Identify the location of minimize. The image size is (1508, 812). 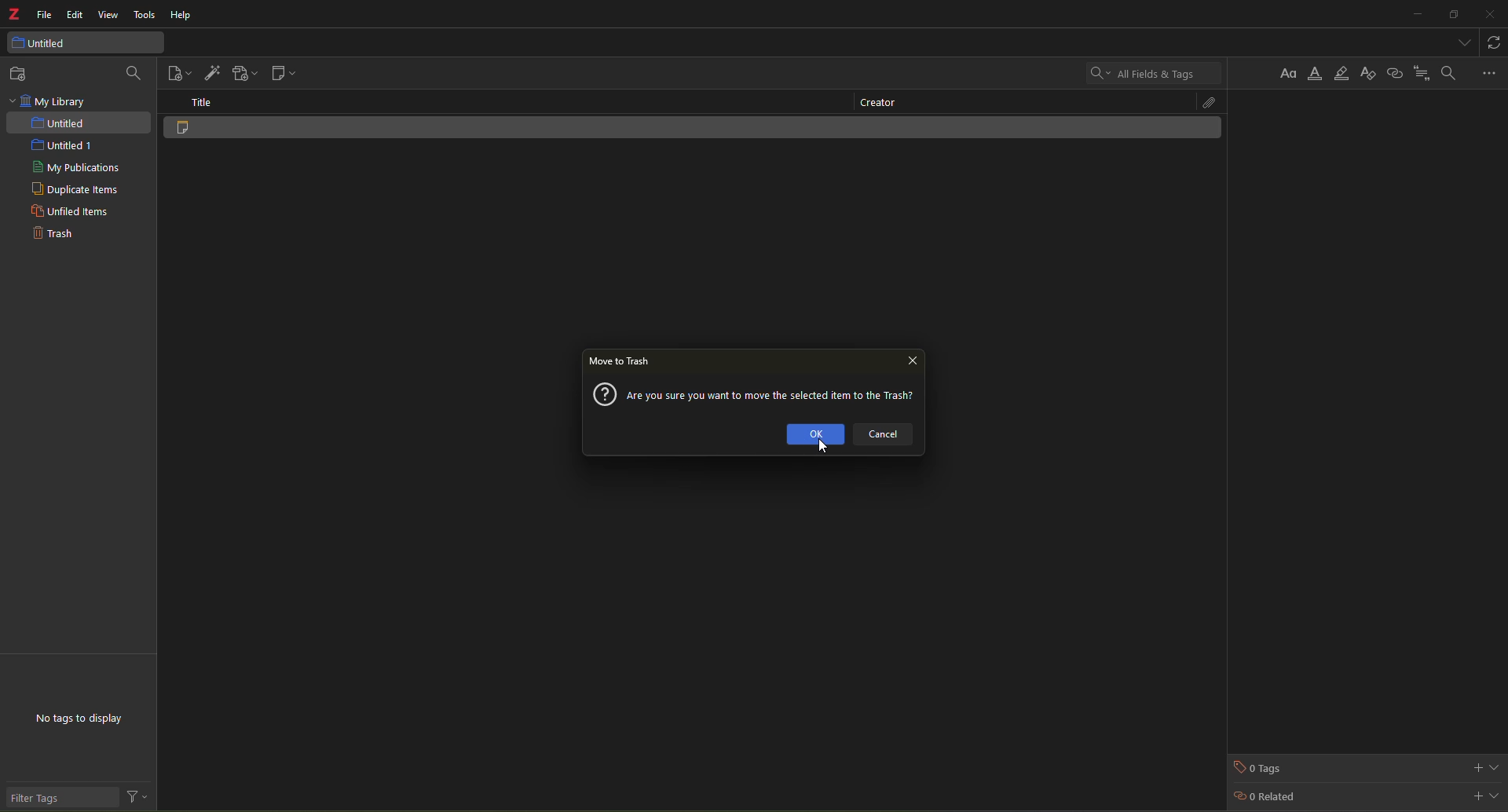
(1414, 14).